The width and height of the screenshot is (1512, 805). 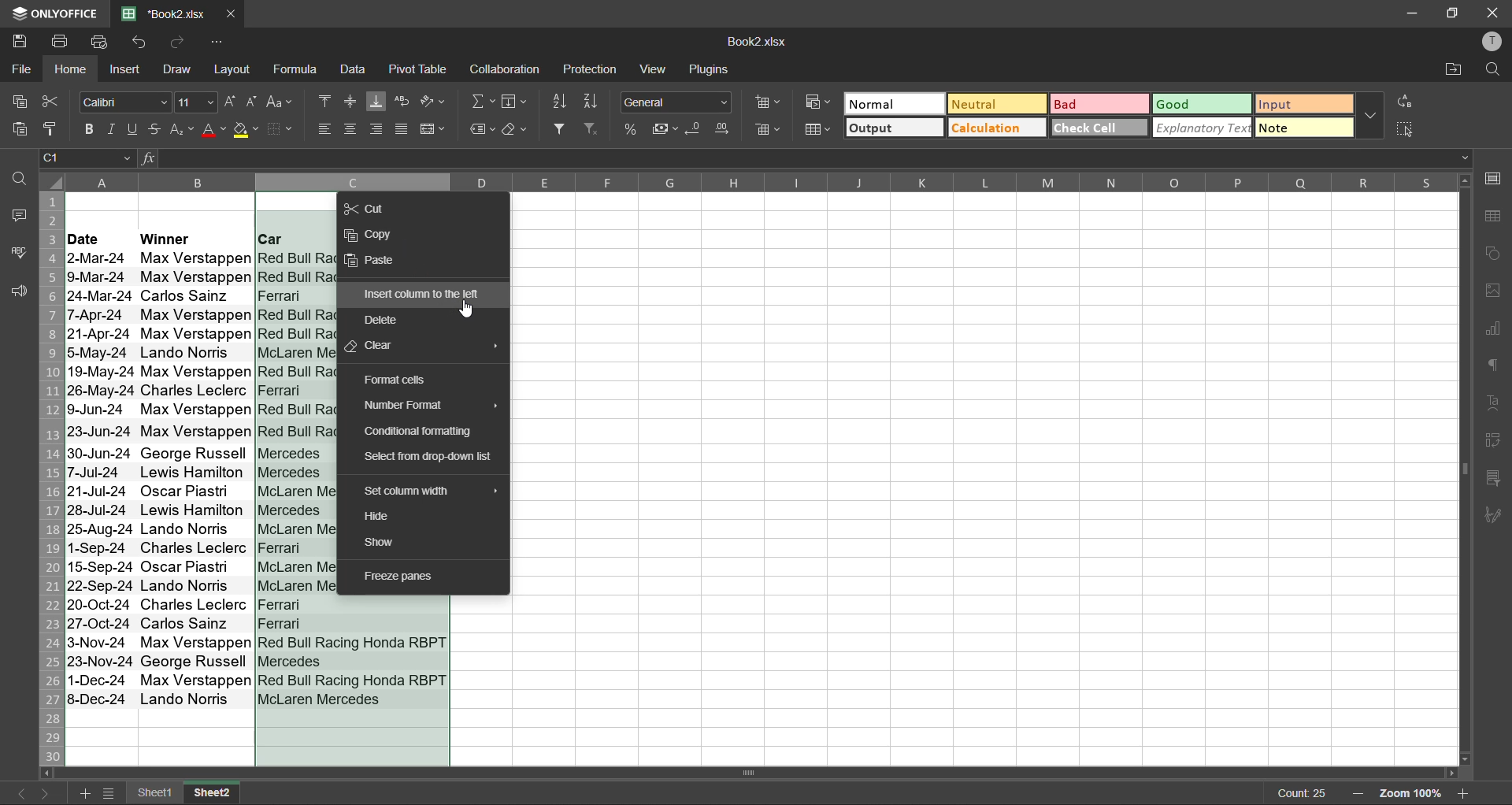 What do you see at coordinates (231, 14) in the screenshot?
I see `close tab` at bounding box center [231, 14].